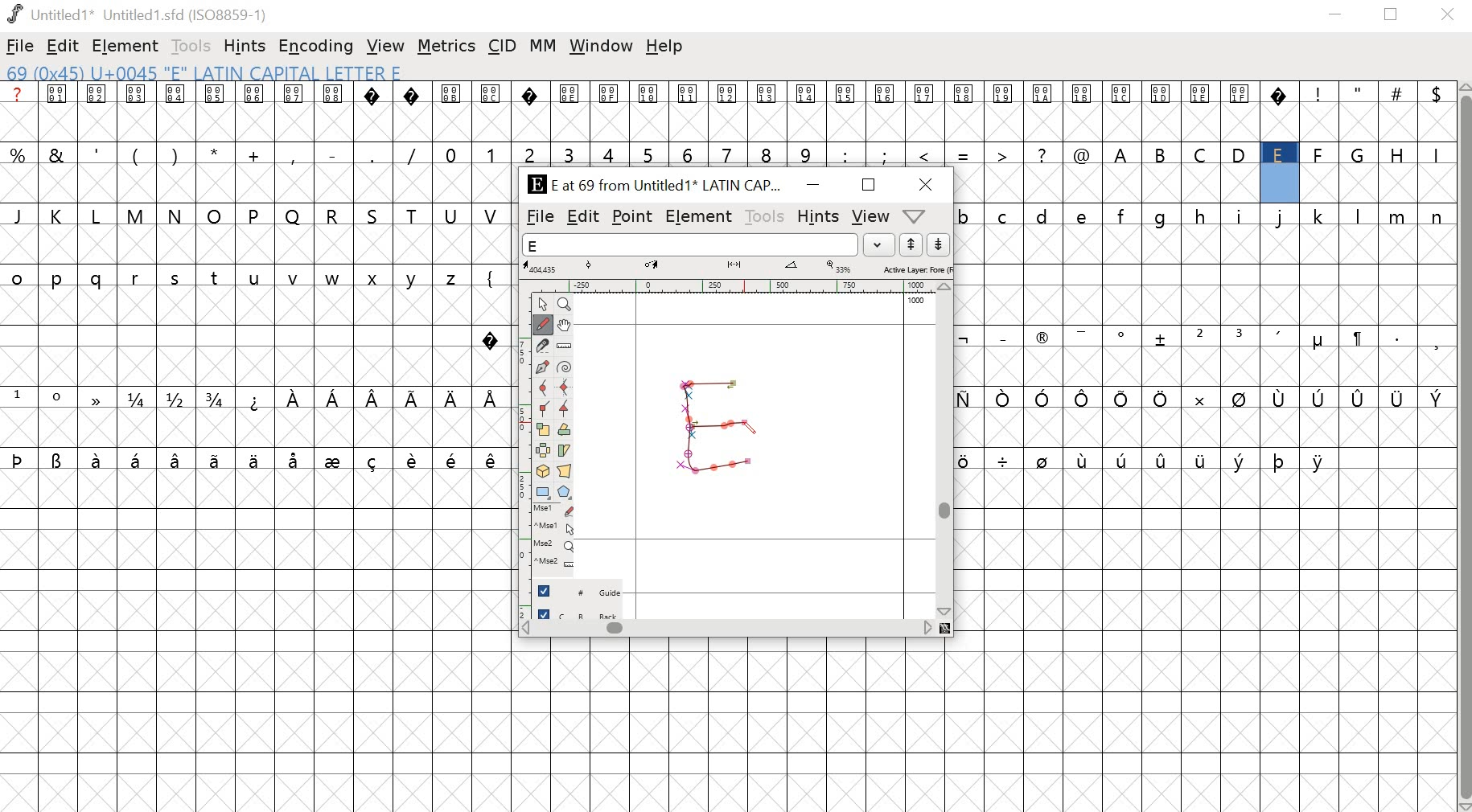  I want to click on Polygon/star, so click(562, 493).